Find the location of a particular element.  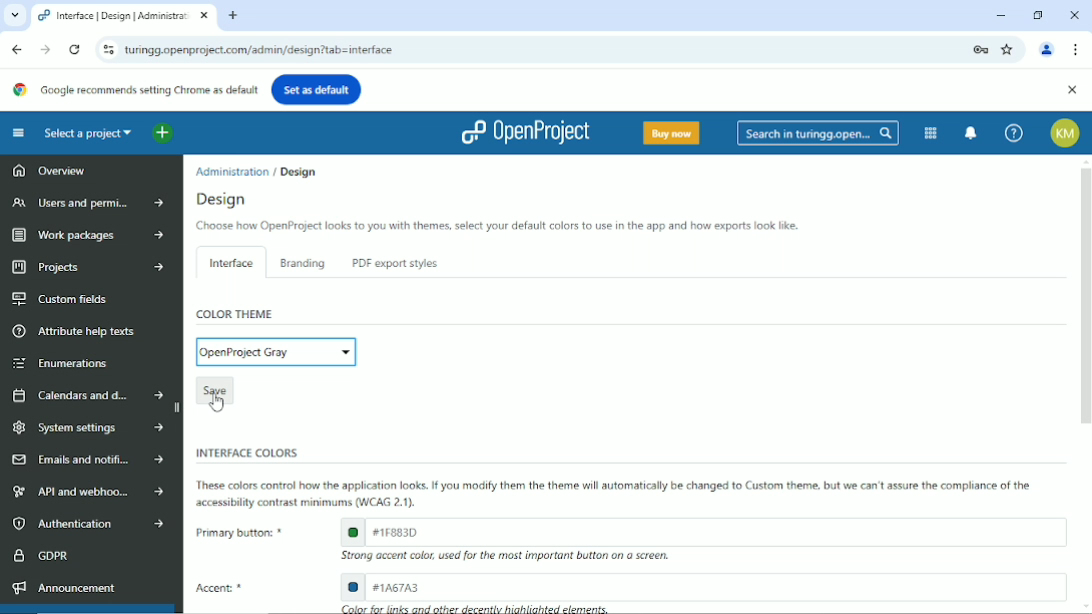

Enumerations is located at coordinates (63, 363).